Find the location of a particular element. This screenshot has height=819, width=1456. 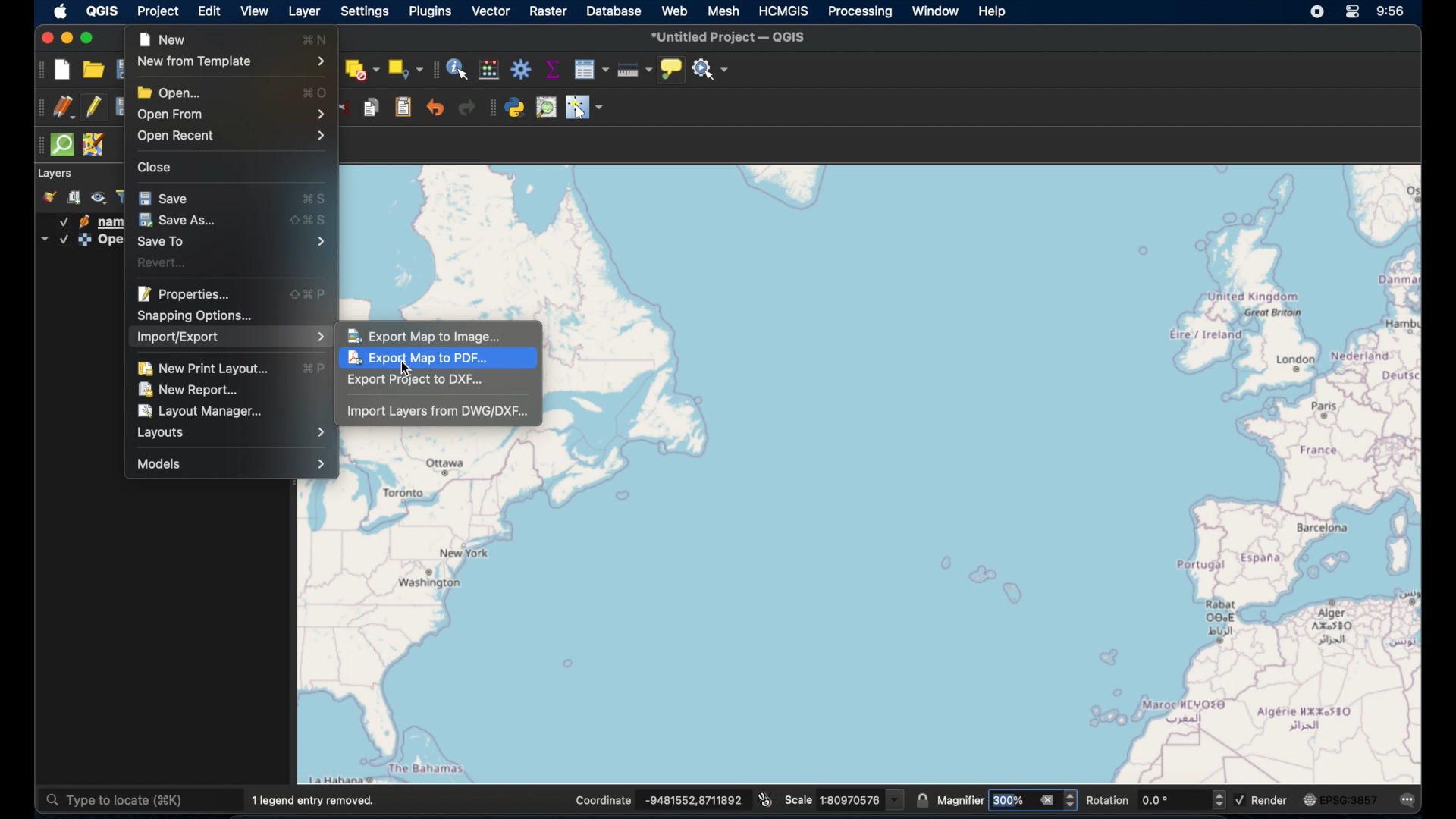

layer is located at coordinates (304, 12).